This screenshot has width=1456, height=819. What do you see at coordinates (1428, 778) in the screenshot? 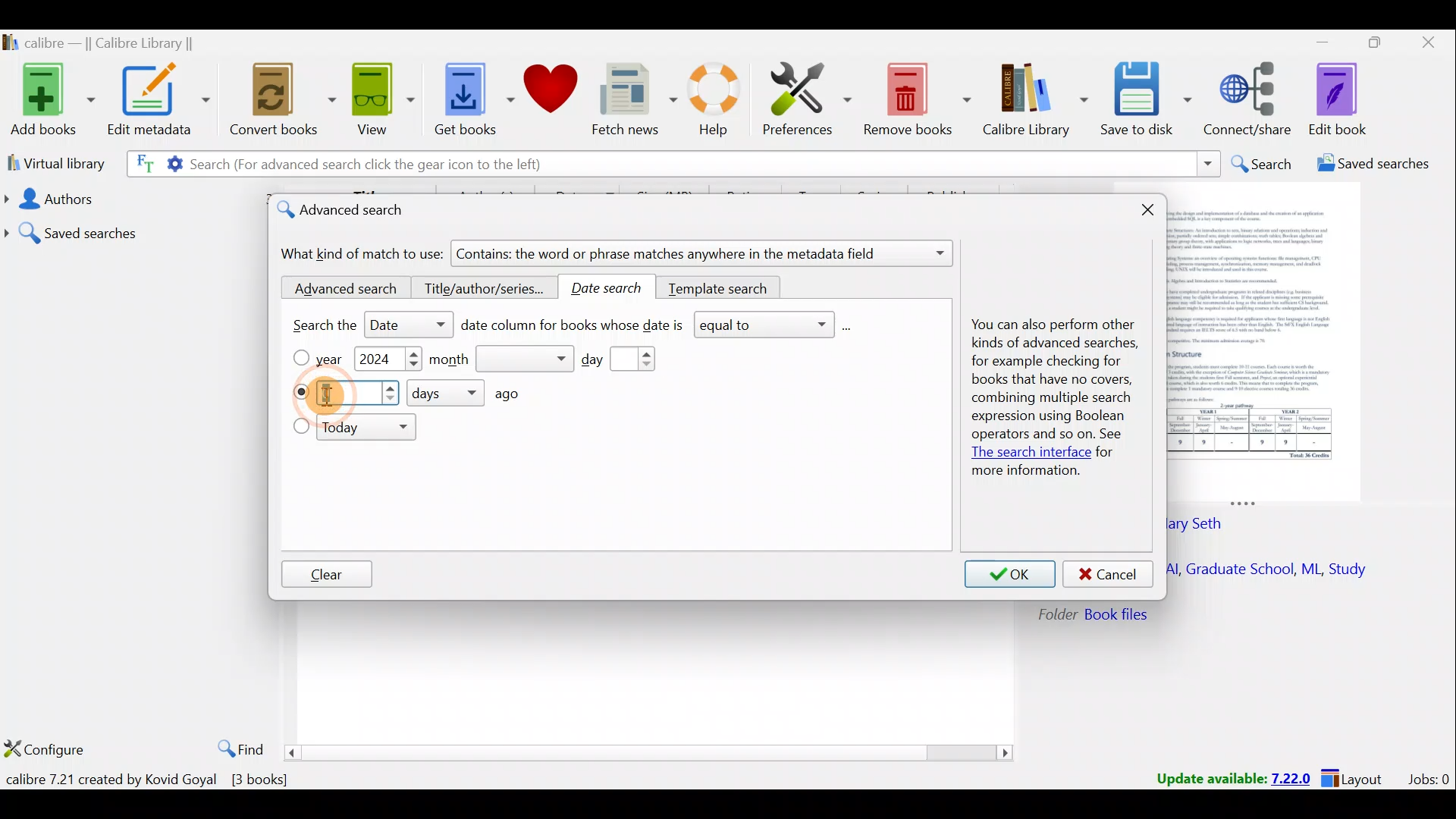
I see `Jobs:0` at bounding box center [1428, 778].